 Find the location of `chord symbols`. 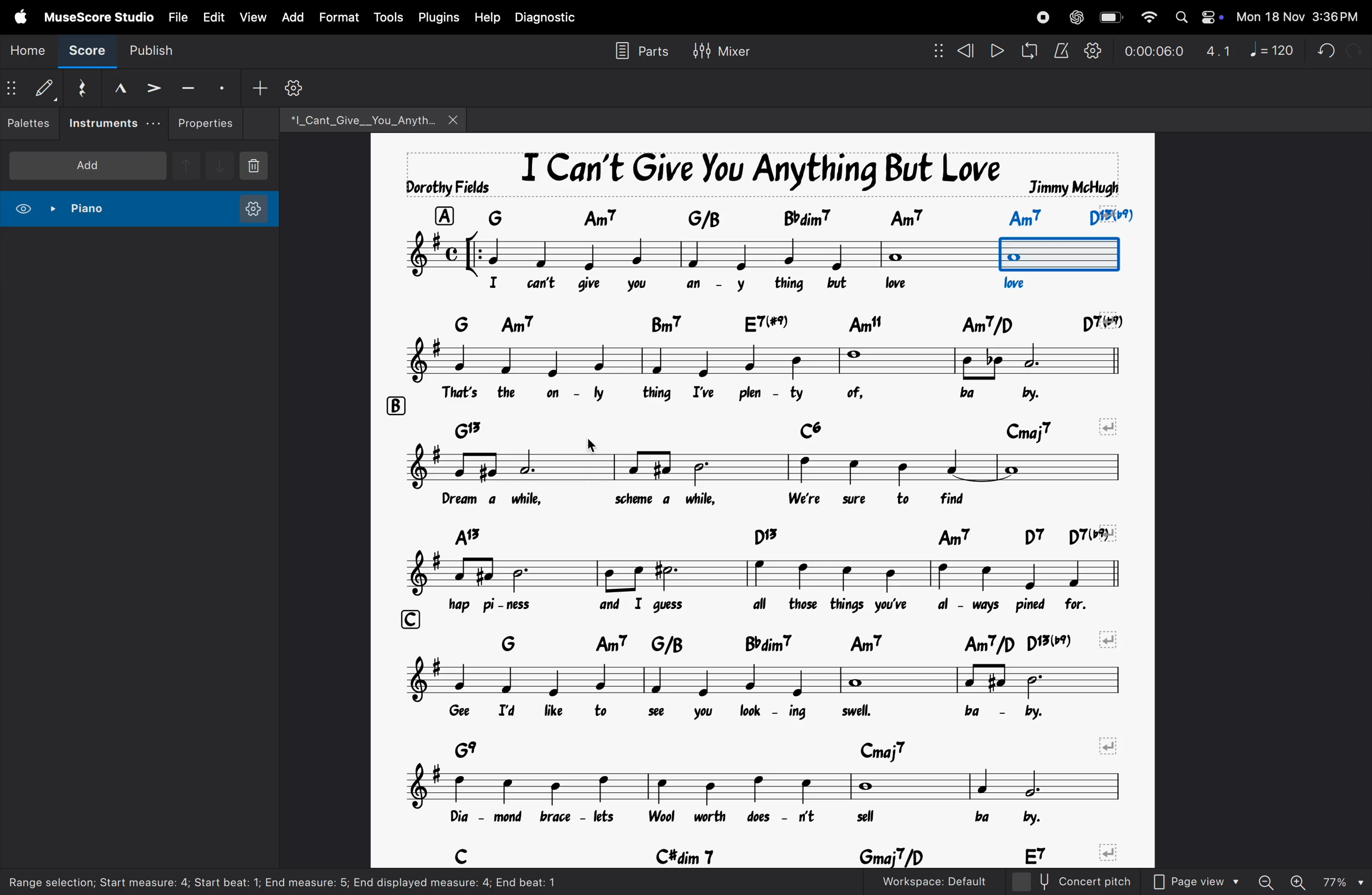

chord symbols is located at coordinates (782, 535).